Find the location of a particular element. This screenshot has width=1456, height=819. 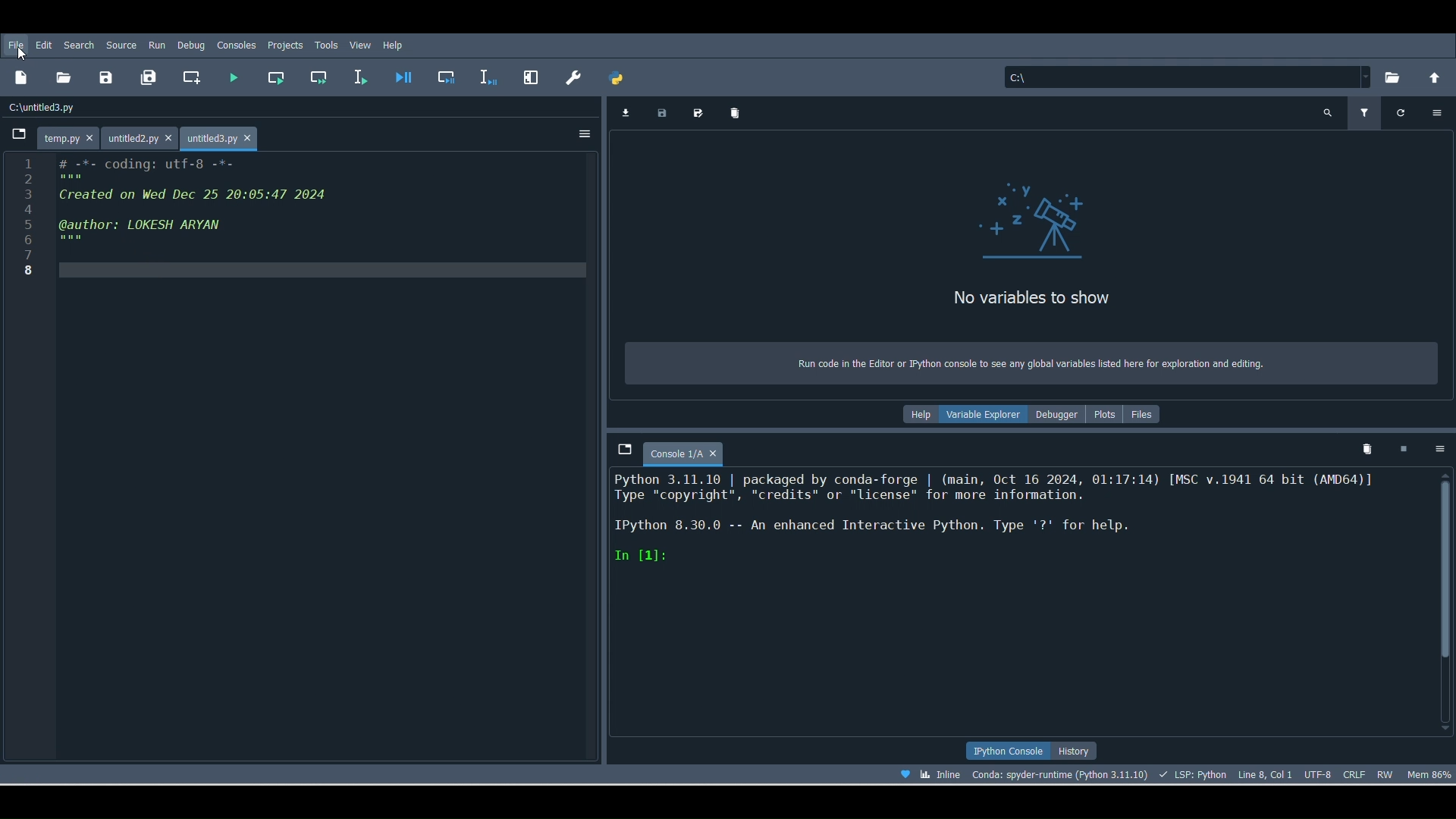

Search variable names and types (Ctrl + F) is located at coordinates (1328, 111).